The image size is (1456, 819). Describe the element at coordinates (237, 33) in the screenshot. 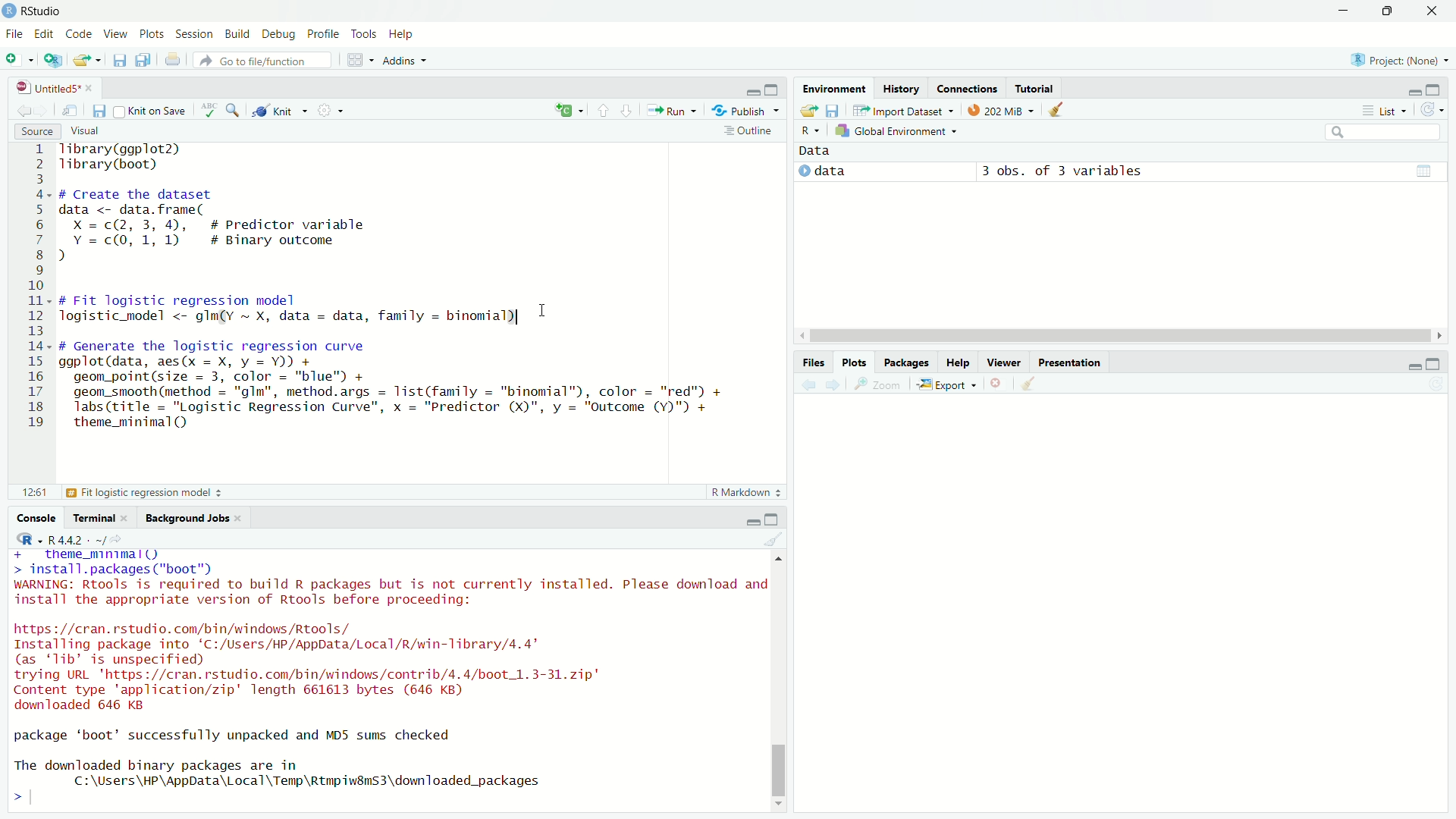

I see `Build` at that location.